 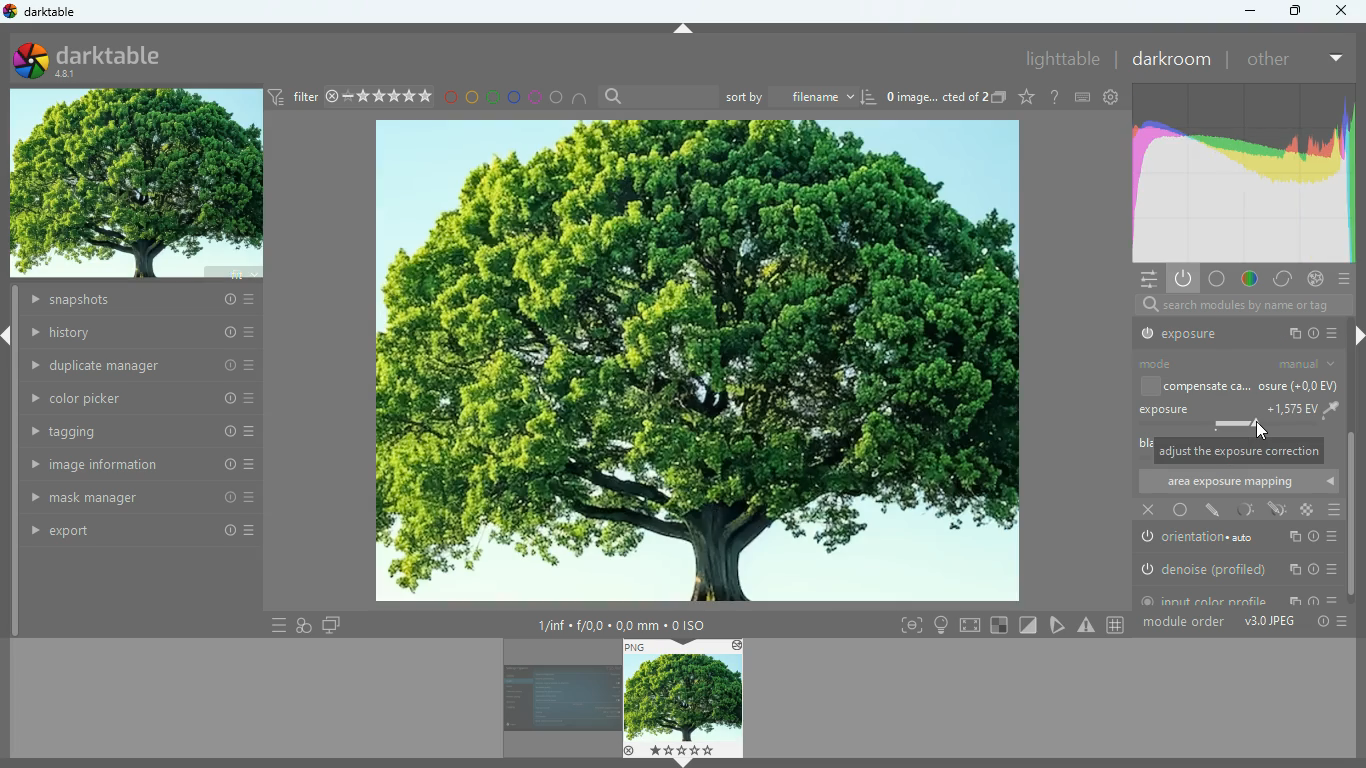 What do you see at coordinates (141, 184) in the screenshot?
I see `image` at bounding box center [141, 184].